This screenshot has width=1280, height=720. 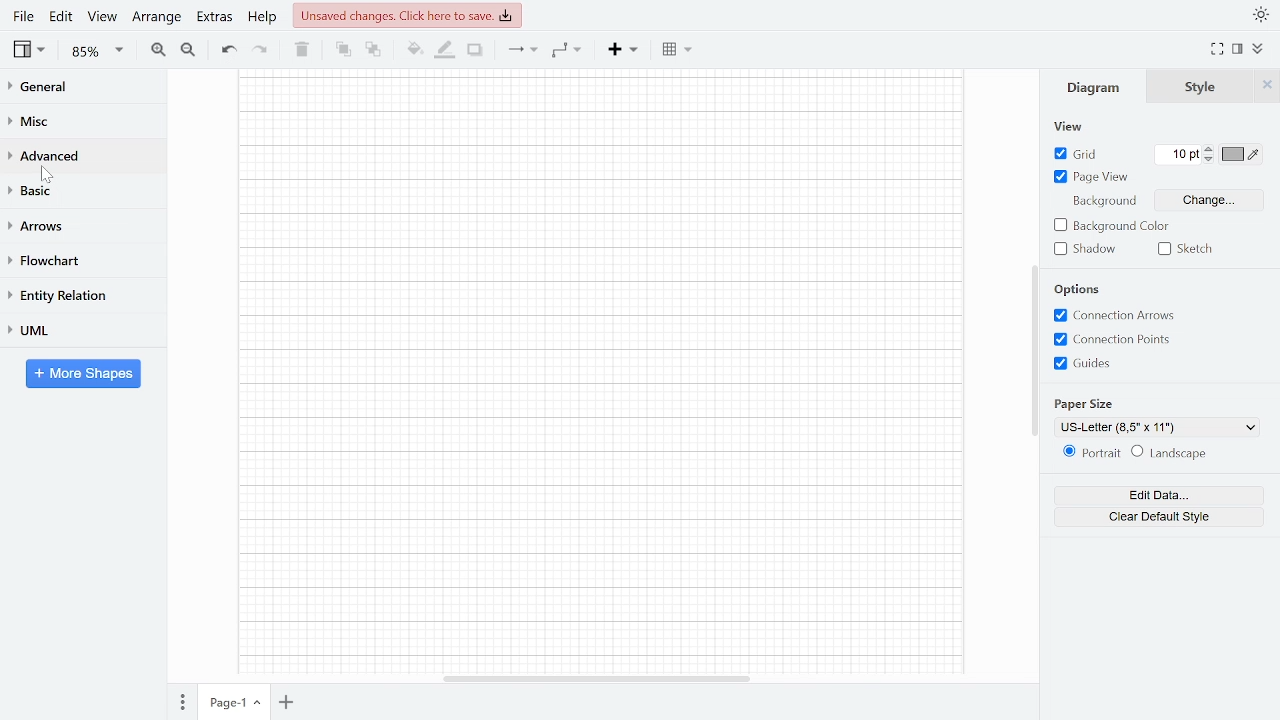 What do you see at coordinates (158, 50) in the screenshot?
I see `Zoom in` at bounding box center [158, 50].